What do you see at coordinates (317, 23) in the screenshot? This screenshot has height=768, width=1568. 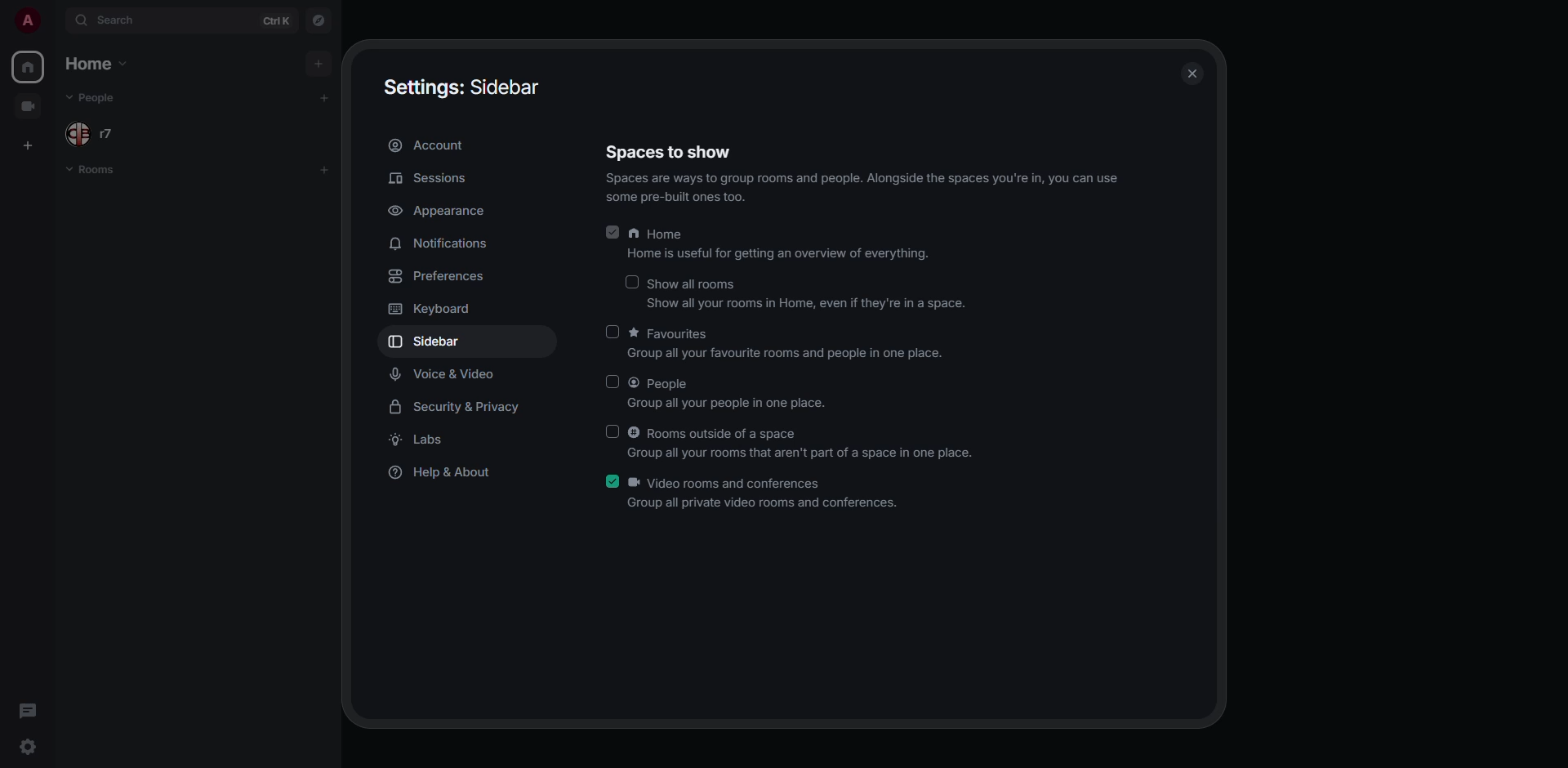 I see `navigator` at bounding box center [317, 23].